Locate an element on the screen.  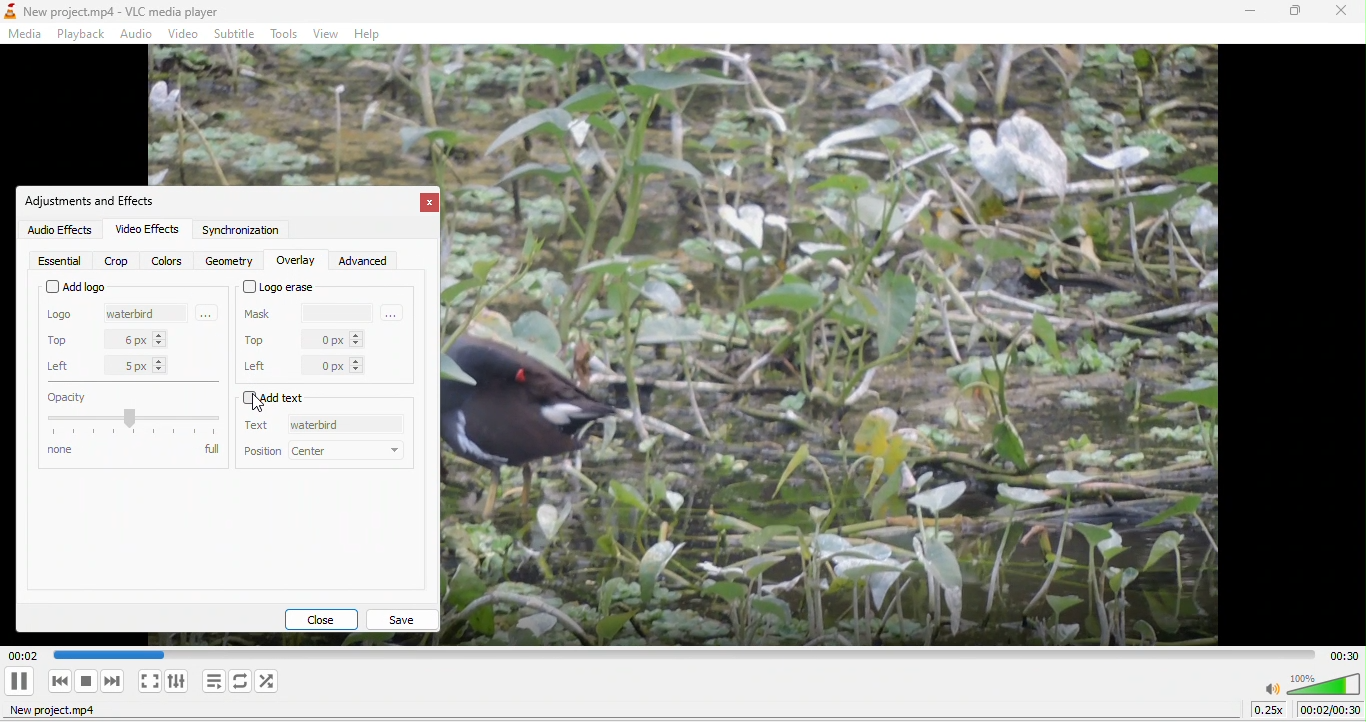
More options is located at coordinates (395, 312).